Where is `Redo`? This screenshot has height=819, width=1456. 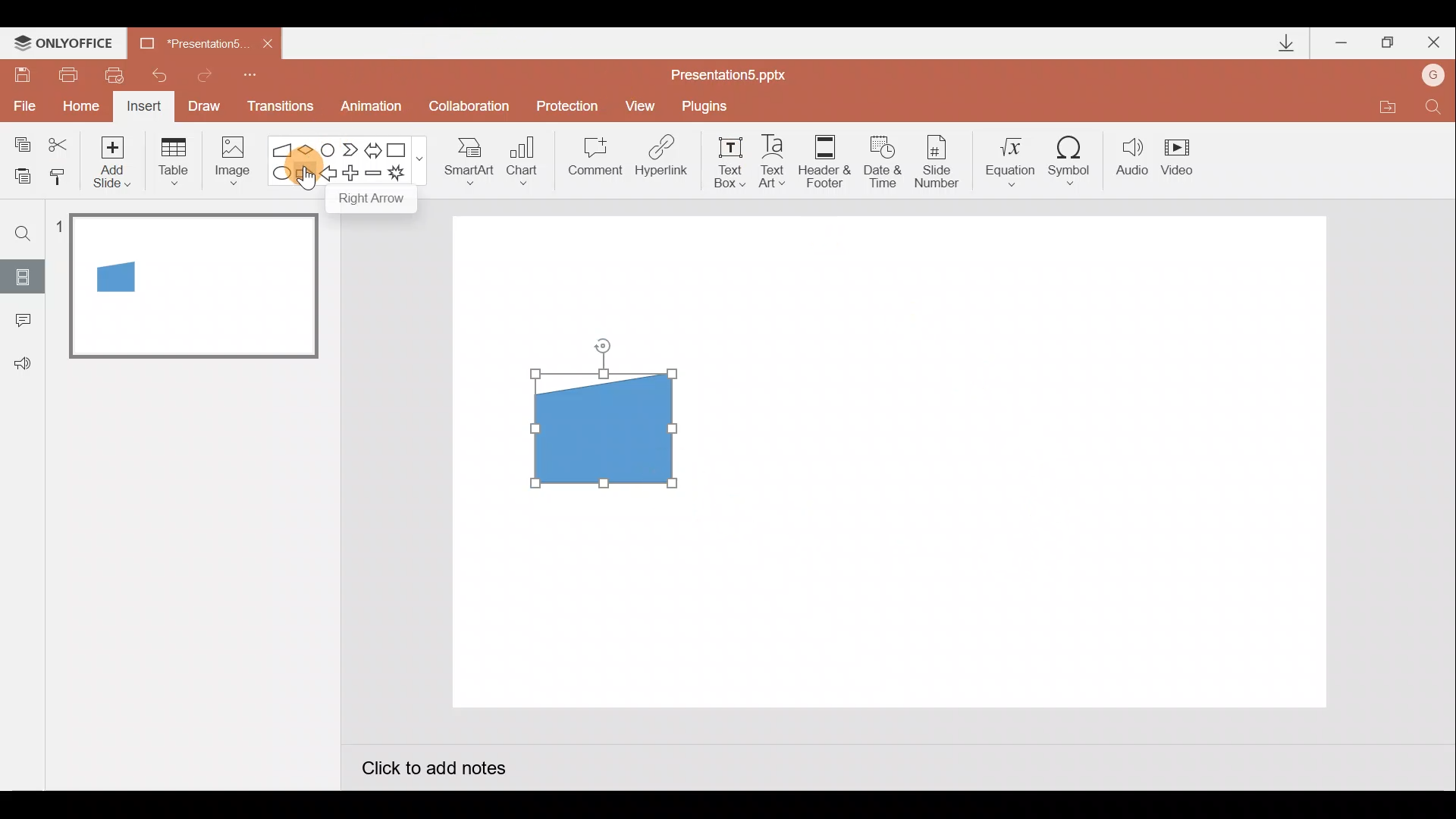
Redo is located at coordinates (206, 73).